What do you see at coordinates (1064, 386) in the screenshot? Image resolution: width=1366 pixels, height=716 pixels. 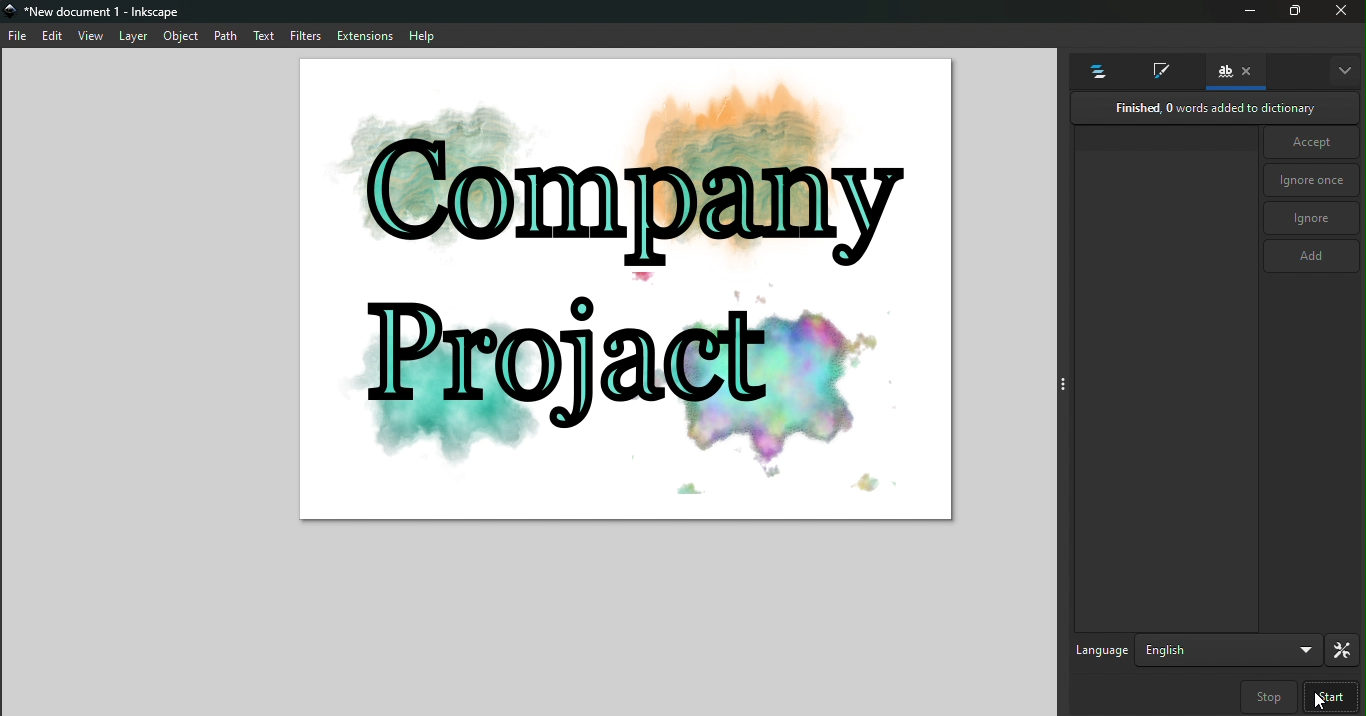 I see `toggle command panel` at bounding box center [1064, 386].